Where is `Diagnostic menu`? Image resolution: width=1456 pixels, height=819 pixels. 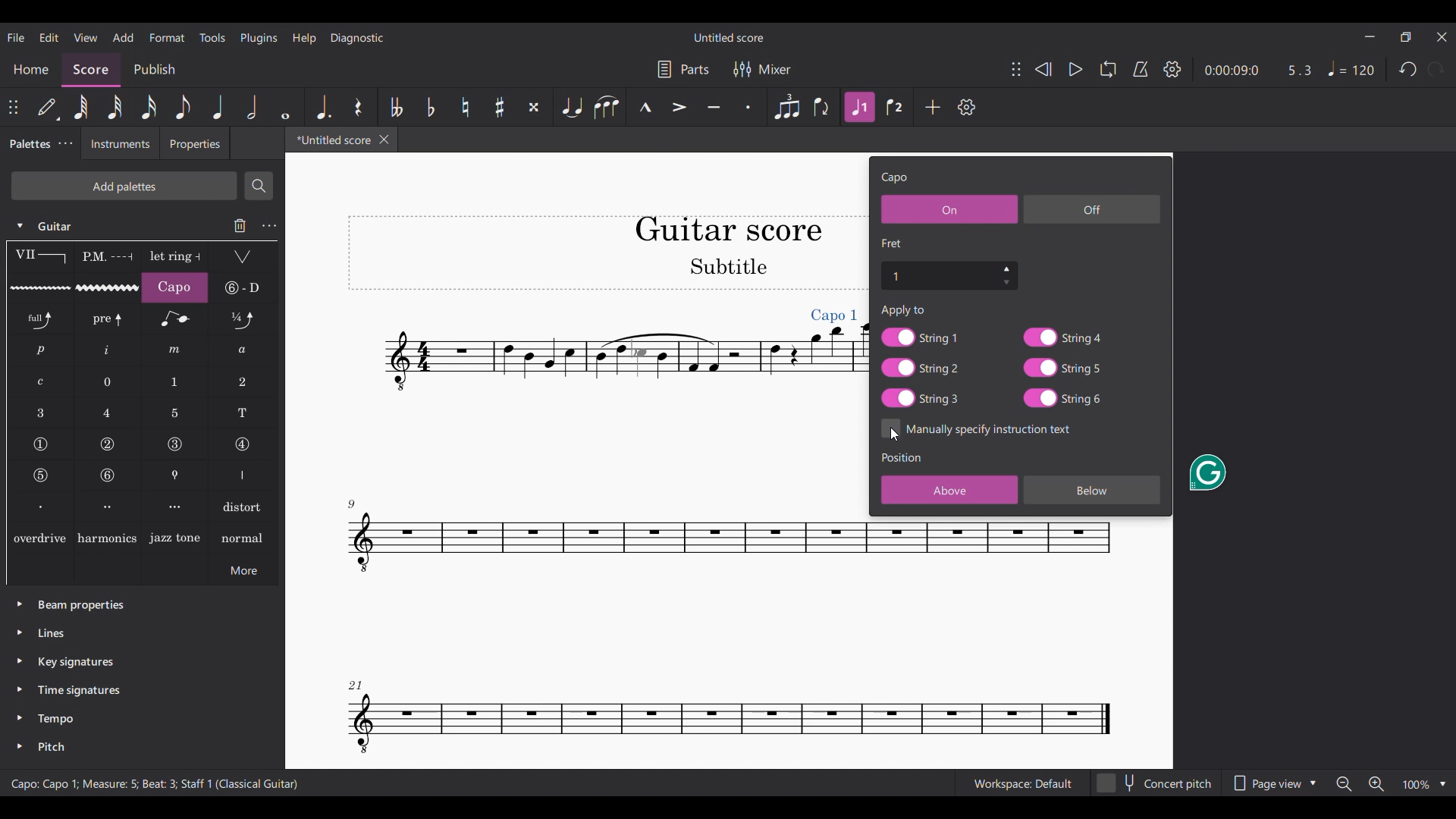
Diagnostic menu is located at coordinates (357, 39).